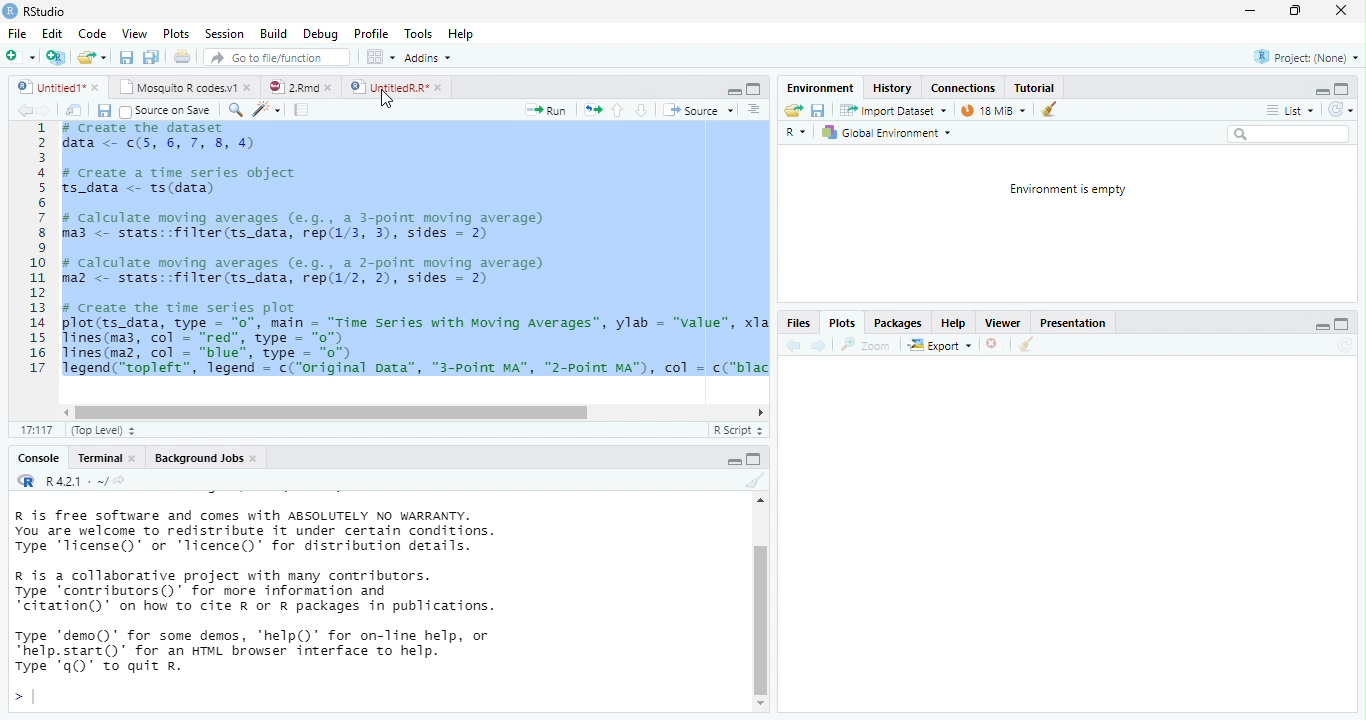 The height and width of the screenshot is (720, 1366). Describe the element at coordinates (320, 34) in the screenshot. I see `Debug` at that location.